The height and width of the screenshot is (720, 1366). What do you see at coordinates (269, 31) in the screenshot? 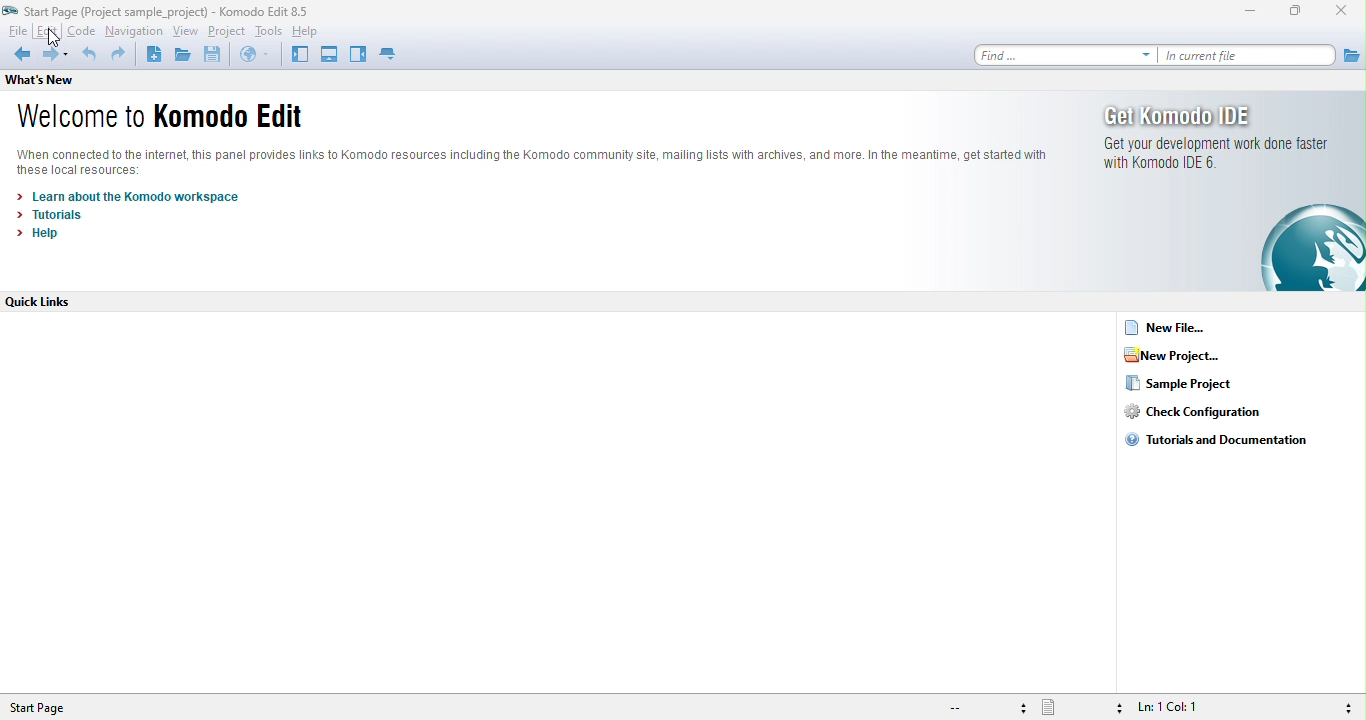
I see `tools` at bounding box center [269, 31].